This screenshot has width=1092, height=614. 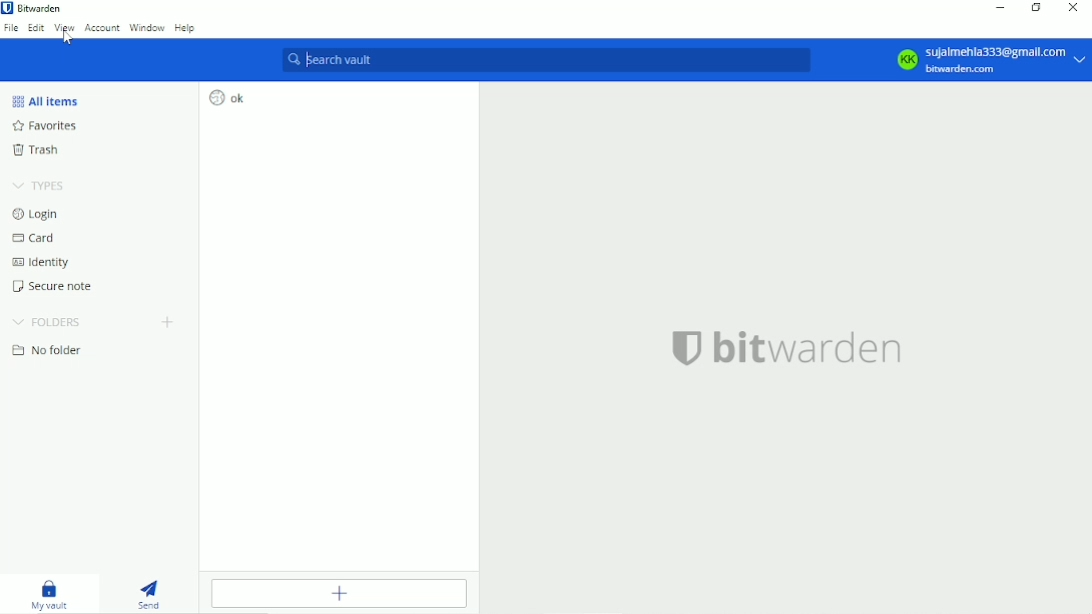 What do you see at coordinates (36, 28) in the screenshot?
I see `Edit` at bounding box center [36, 28].